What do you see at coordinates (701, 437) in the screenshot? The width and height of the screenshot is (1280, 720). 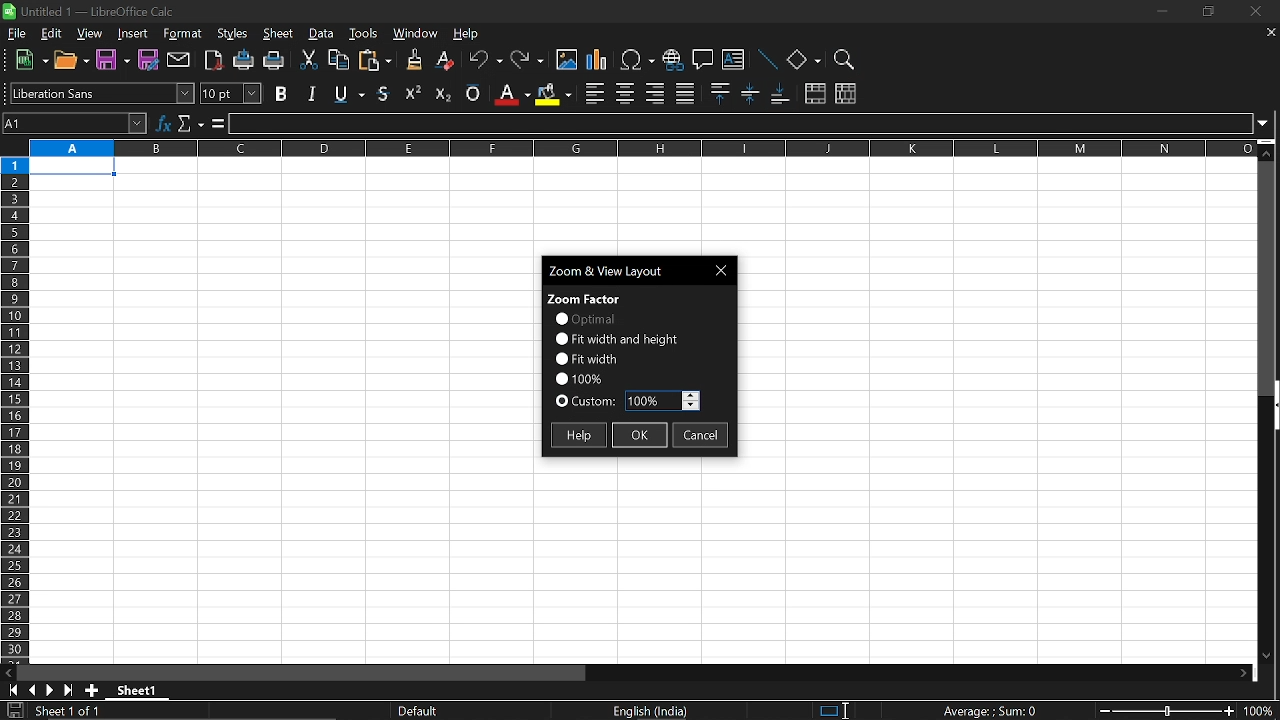 I see `cancel` at bounding box center [701, 437].